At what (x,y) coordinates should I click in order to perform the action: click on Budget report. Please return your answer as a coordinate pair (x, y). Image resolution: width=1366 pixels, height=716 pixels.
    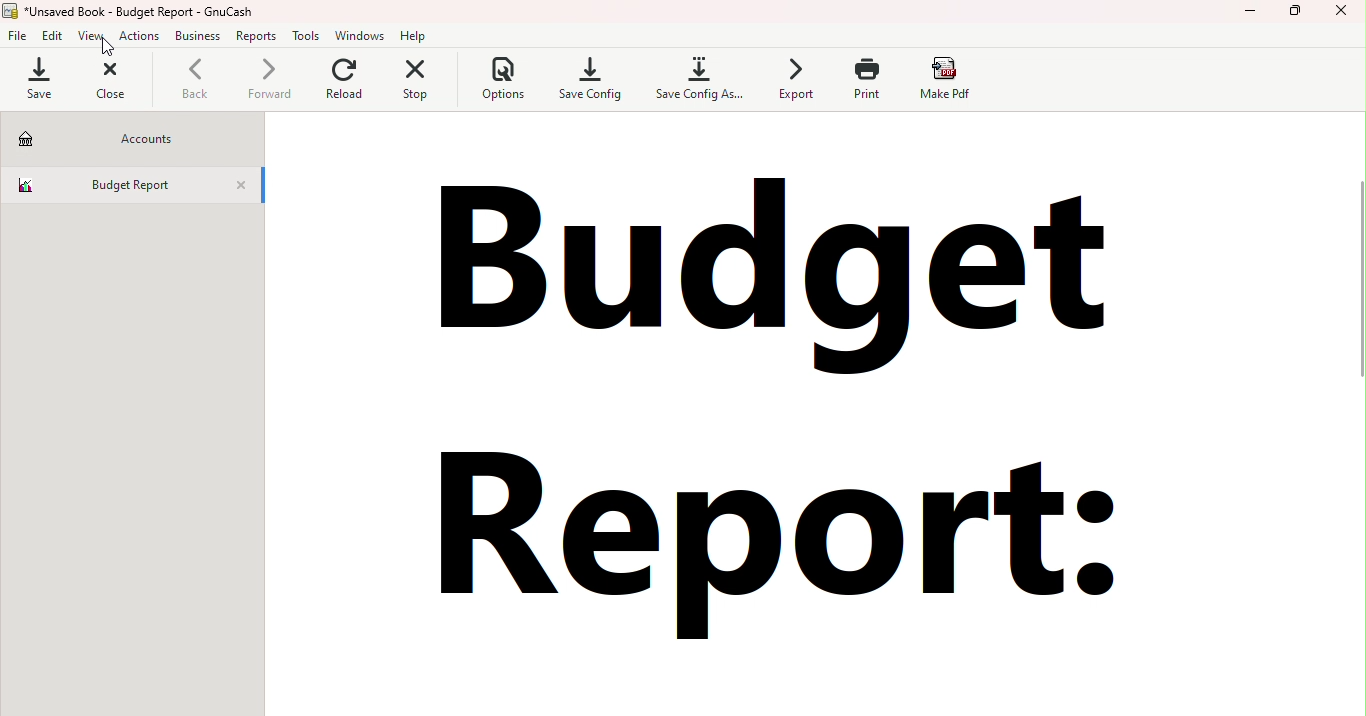
    Looking at the image, I should click on (104, 186).